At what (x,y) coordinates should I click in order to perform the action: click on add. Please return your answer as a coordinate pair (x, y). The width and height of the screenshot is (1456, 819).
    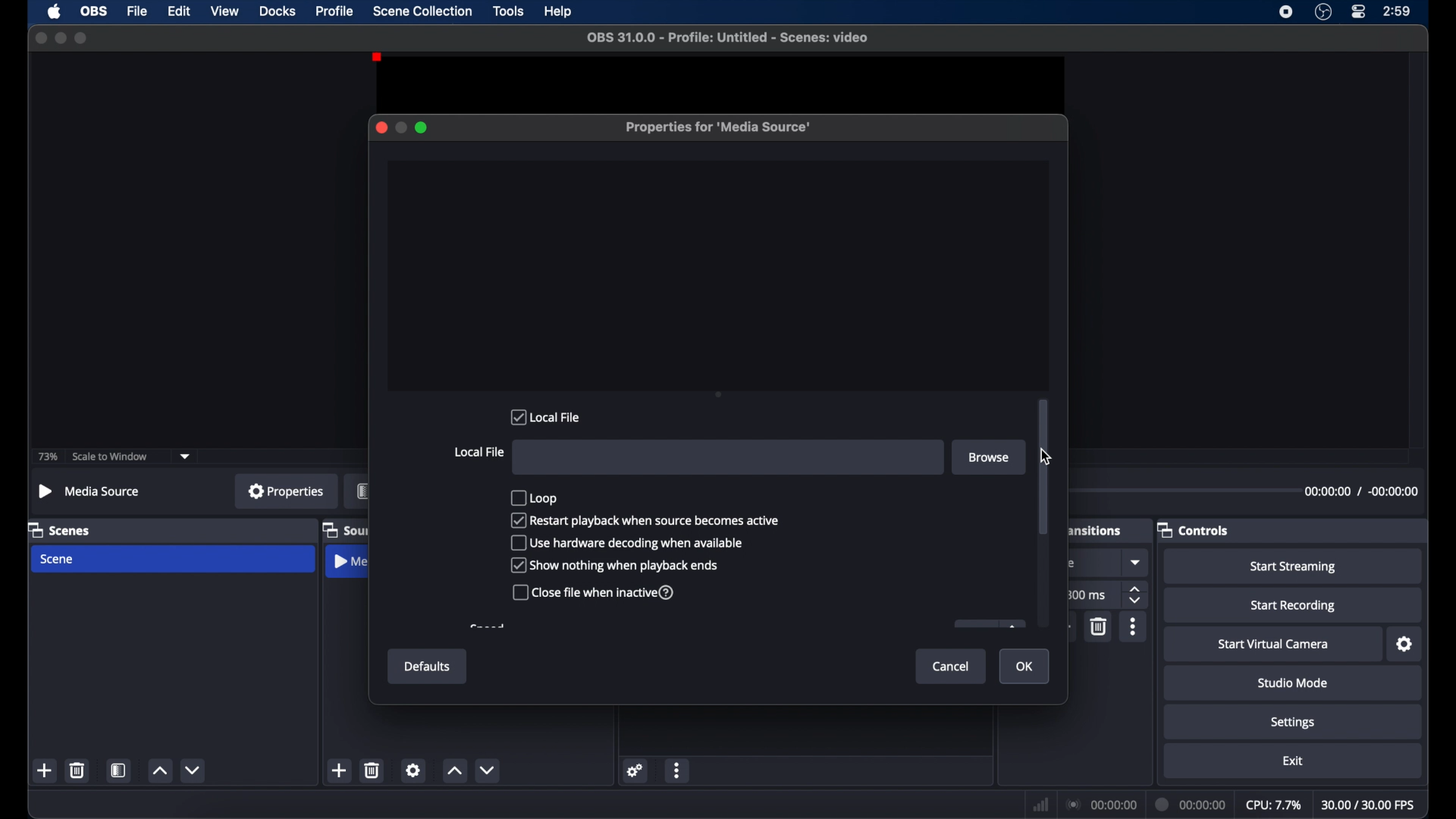
    Looking at the image, I should click on (44, 770).